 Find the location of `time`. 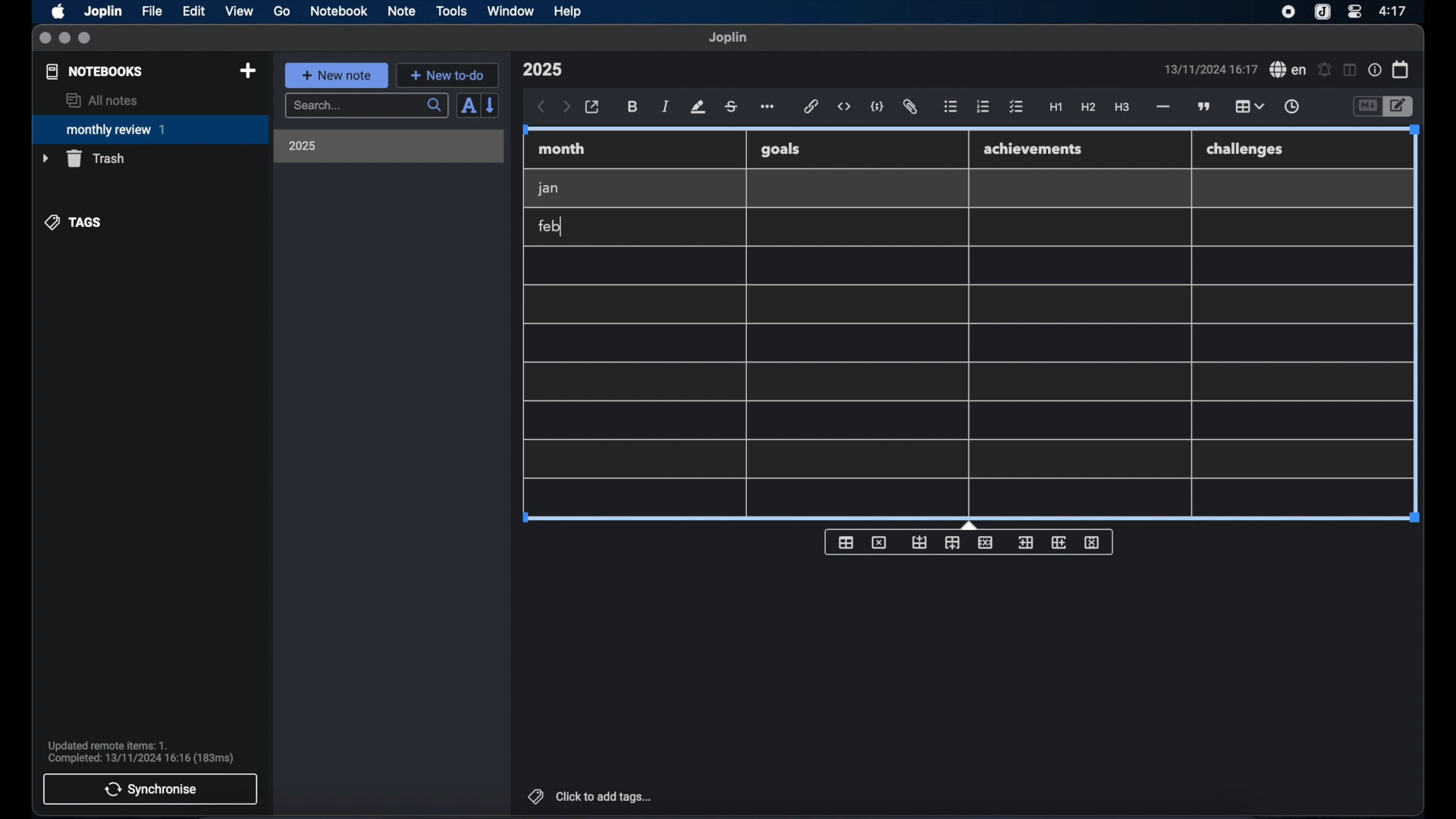

time is located at coordinates (1395, 11).